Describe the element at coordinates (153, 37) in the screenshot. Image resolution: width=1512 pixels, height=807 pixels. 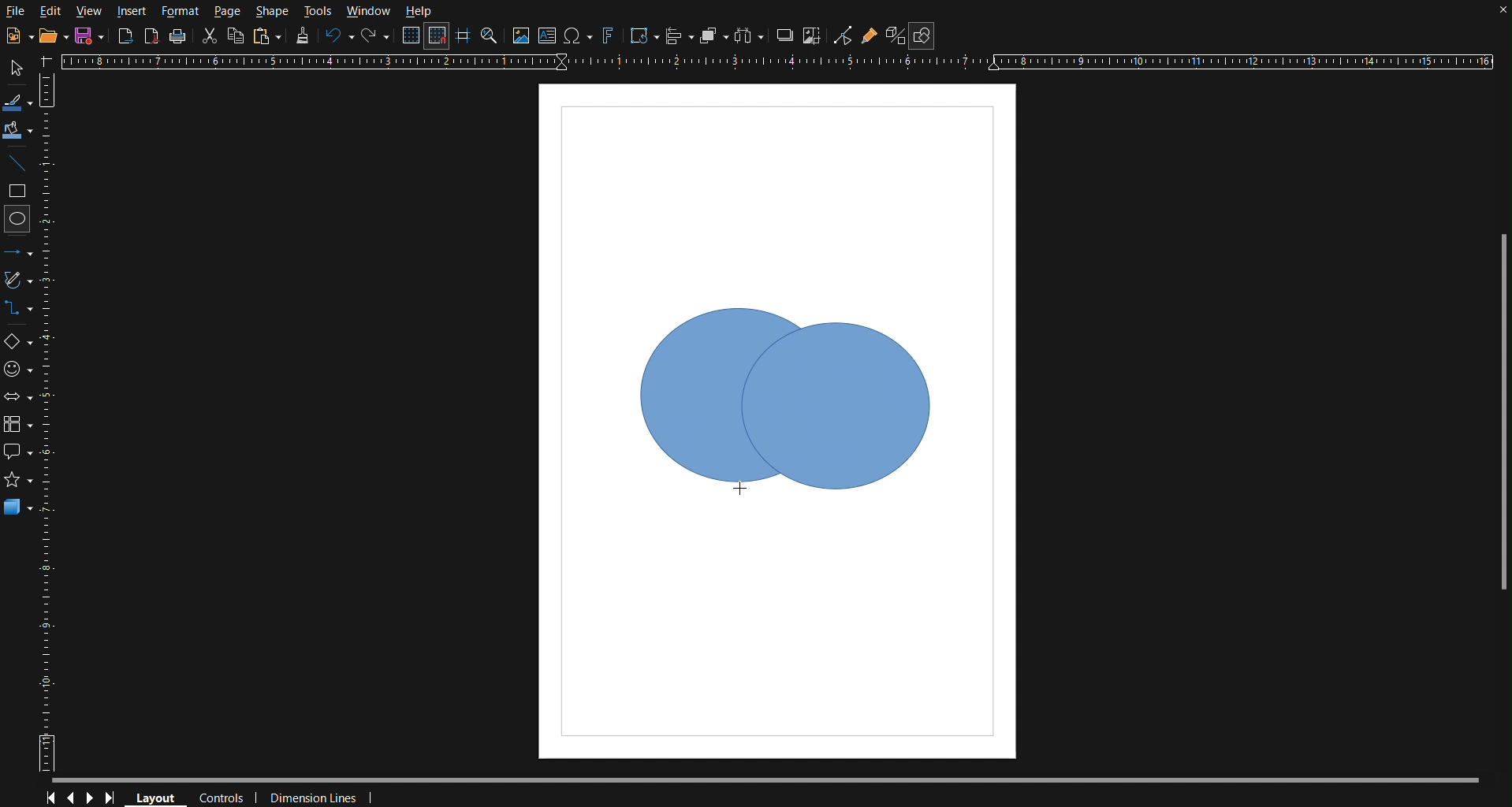
I see `Export as PDF` at that location.